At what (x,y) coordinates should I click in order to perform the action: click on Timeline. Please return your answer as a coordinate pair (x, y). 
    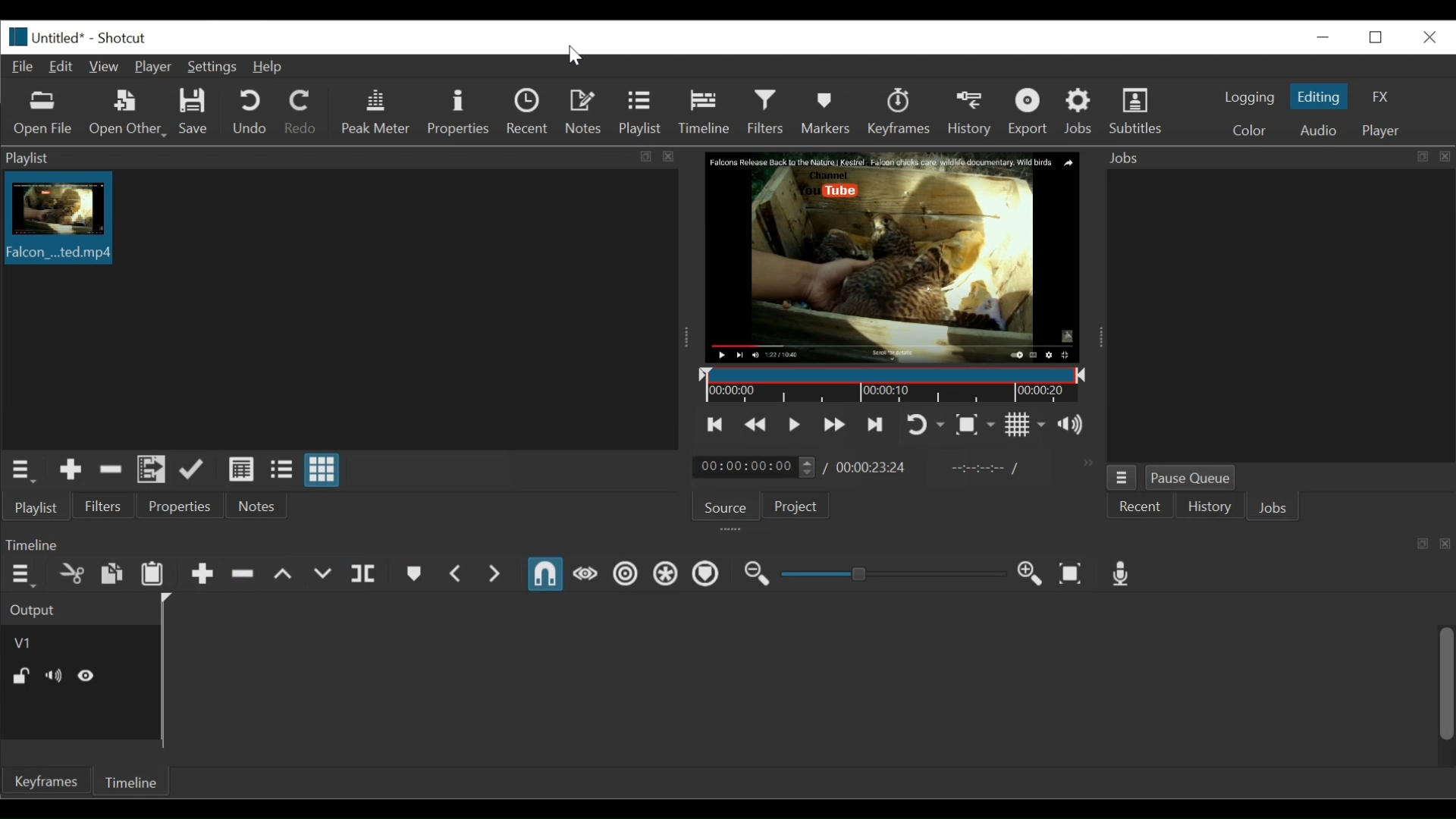
    Looking at the image, I should click on (134, 783).